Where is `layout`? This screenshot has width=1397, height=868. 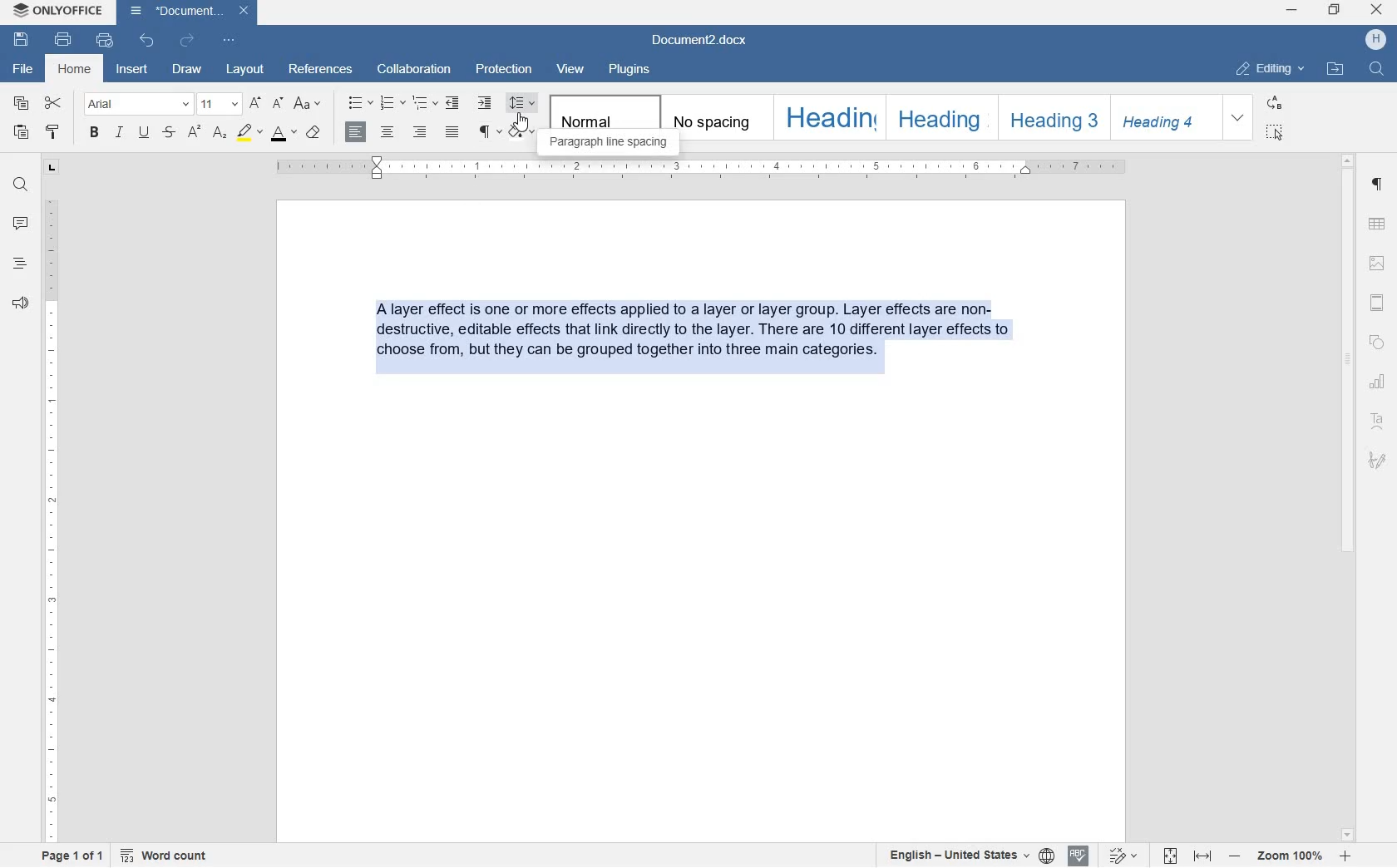 layout is located at coordinates (243, 68).